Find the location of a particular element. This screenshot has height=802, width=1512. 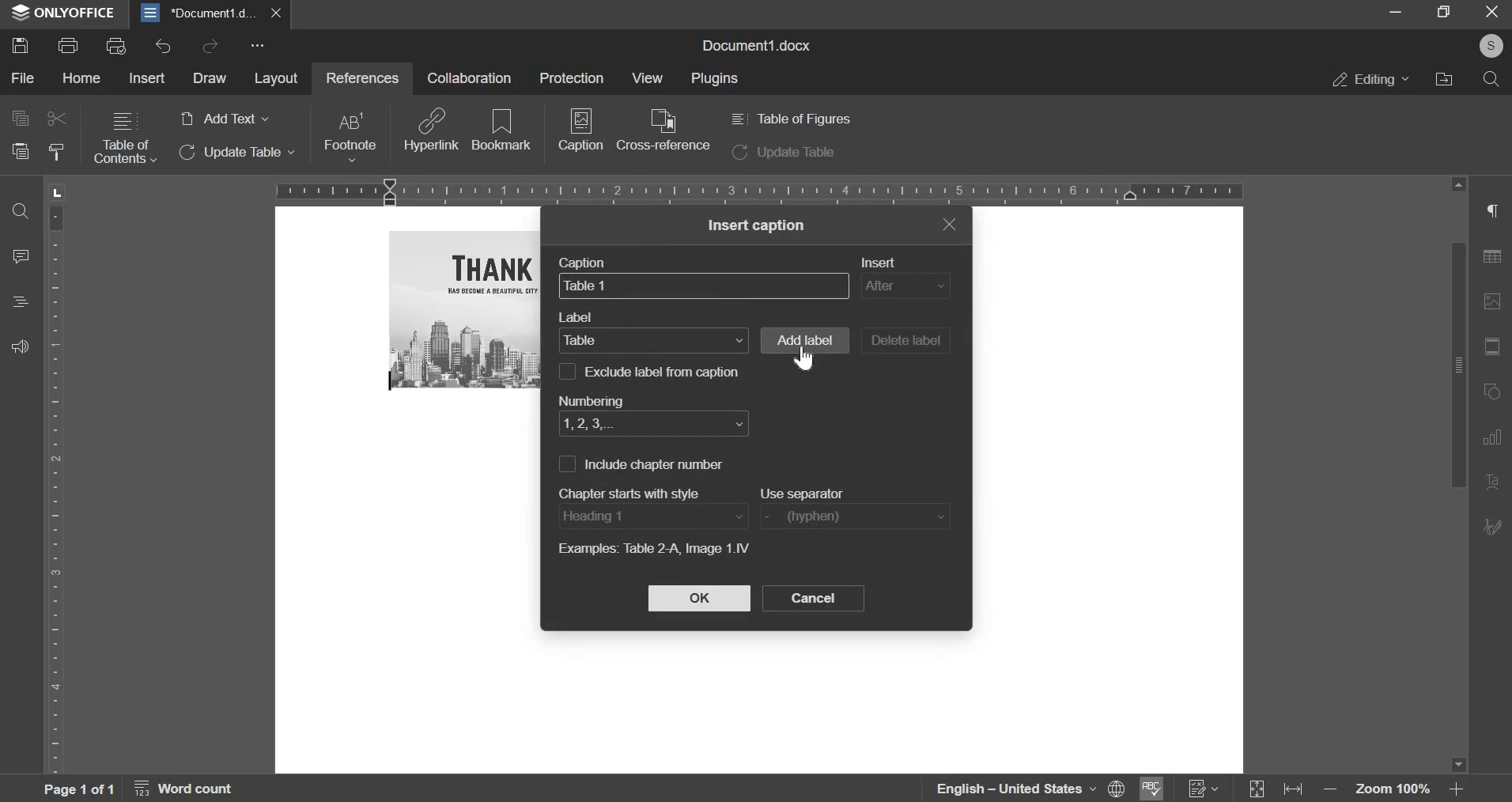

zoom 100% is located at coordinates (1394, 791).